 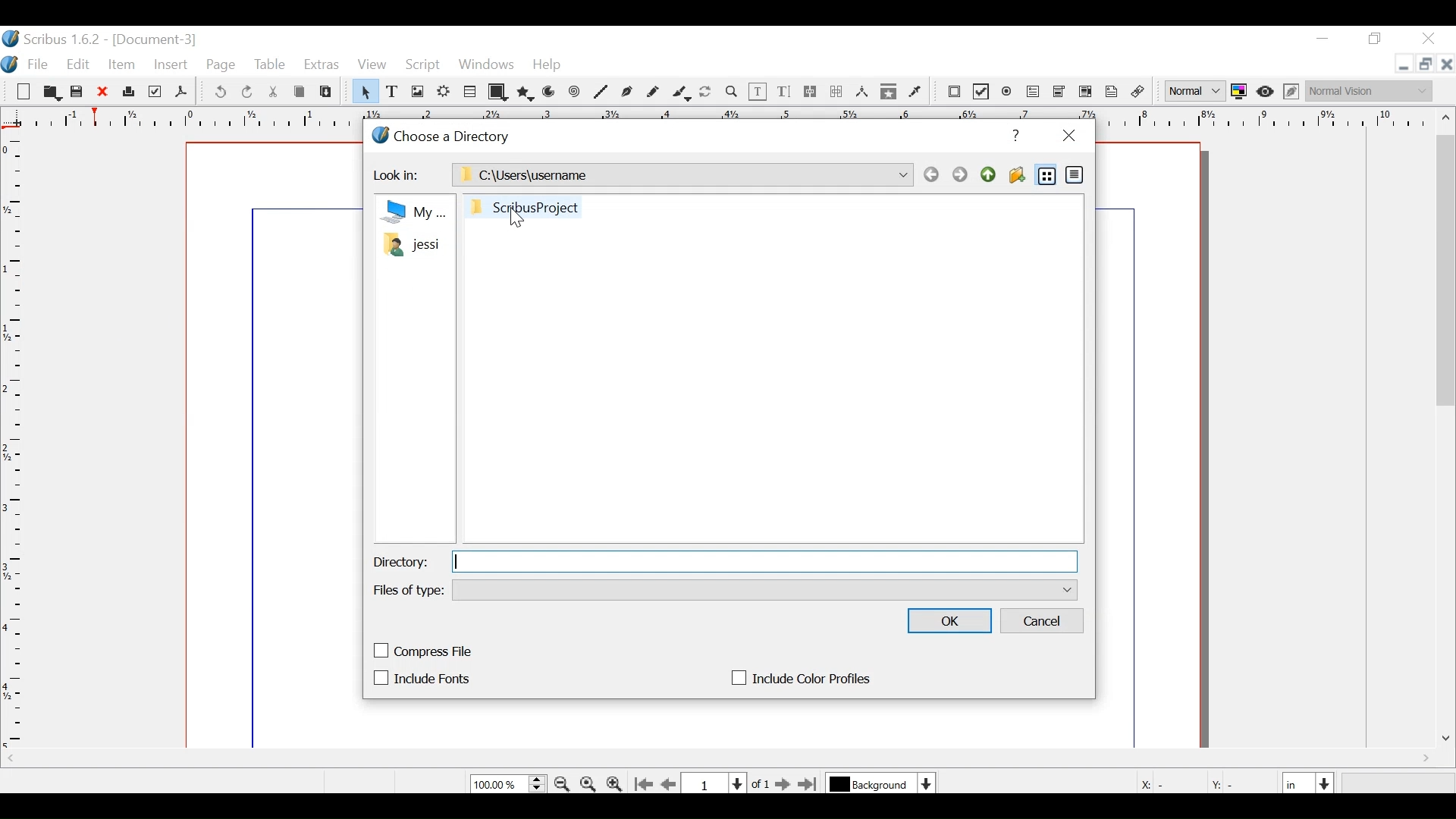 What do you see at coordinates (680, 175) in the screenshot?
I see `Path` at bounding box center [680, 175].